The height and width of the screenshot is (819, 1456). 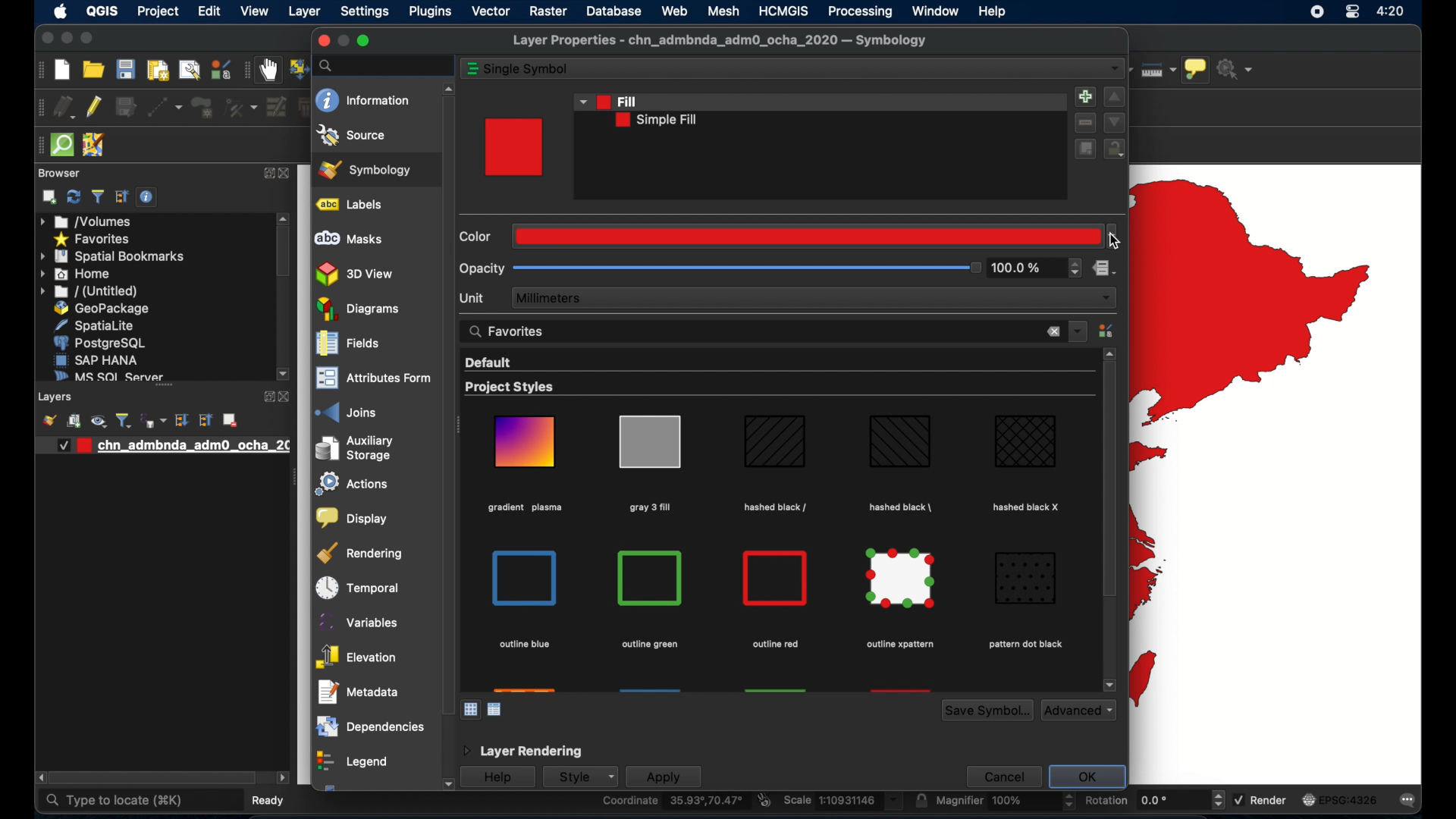 I want to click on unit, so click(x=474, y=297).